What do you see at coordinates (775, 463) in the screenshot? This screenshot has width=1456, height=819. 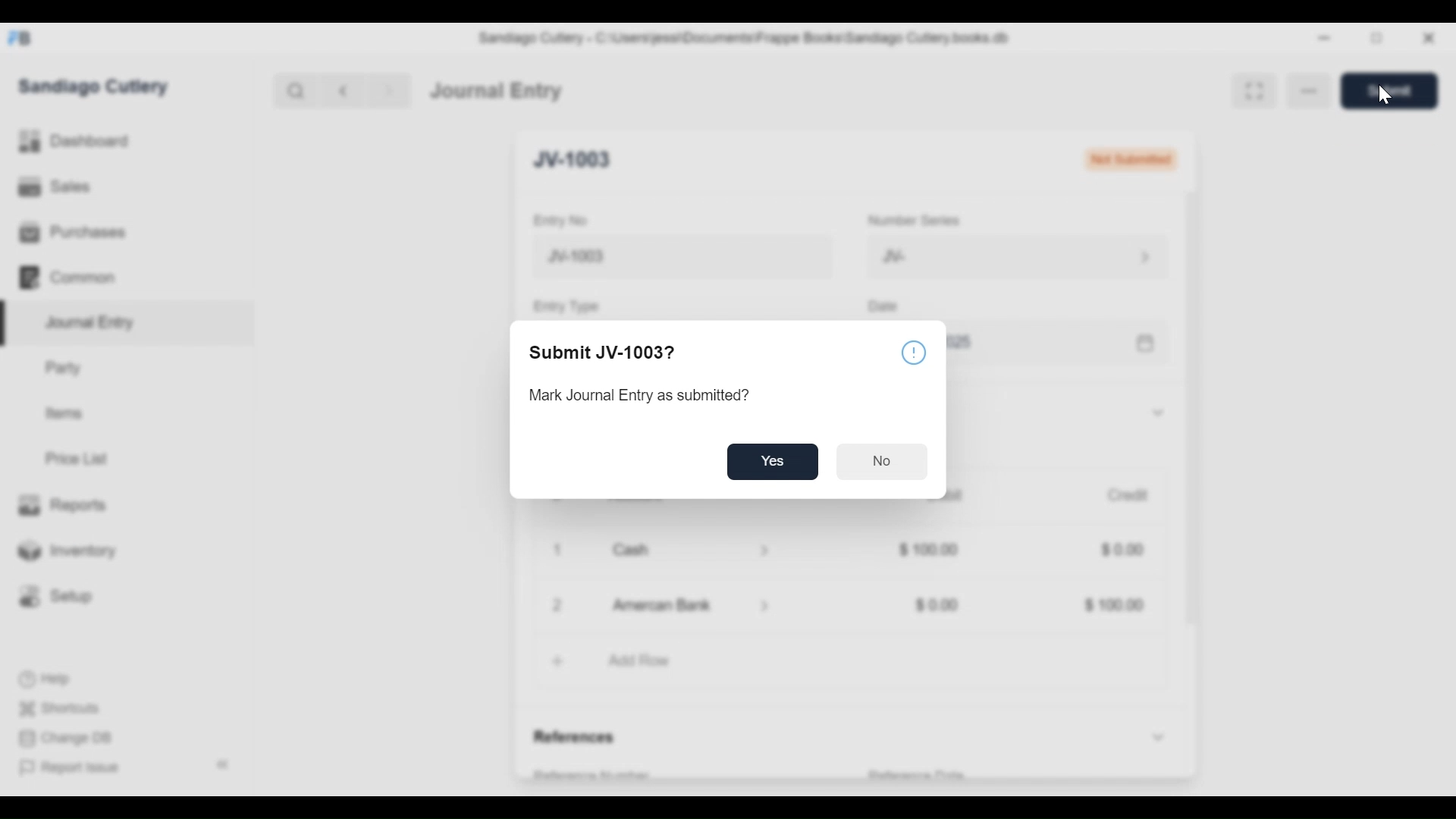 I see `Yes ` at bounding box center [775, 463].